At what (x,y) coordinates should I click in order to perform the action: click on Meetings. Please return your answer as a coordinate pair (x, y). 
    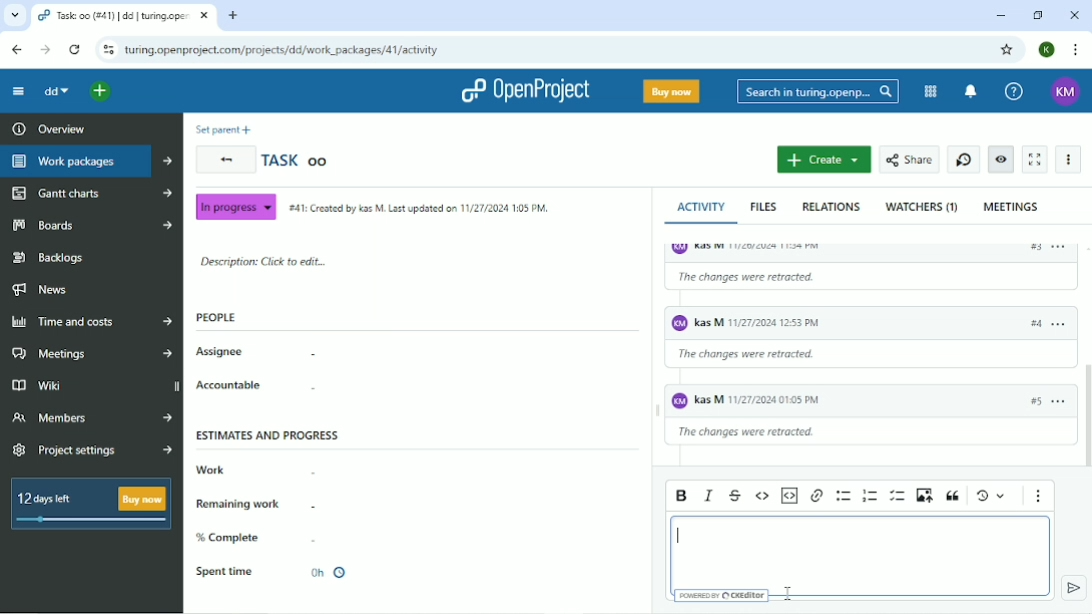
    Looking at the image, I should click on (1012, 206).